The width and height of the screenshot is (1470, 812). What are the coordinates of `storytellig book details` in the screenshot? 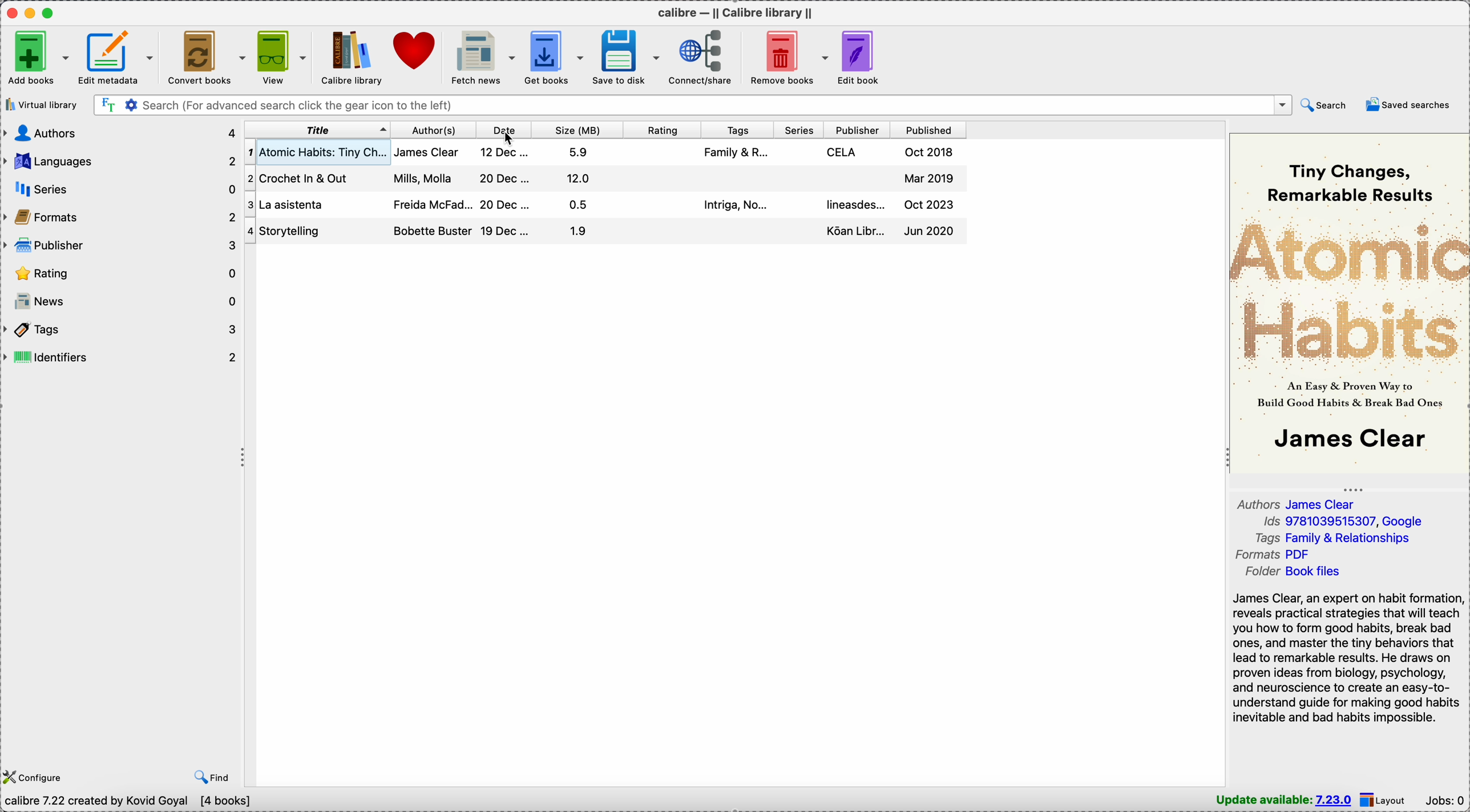 It's located at (604, 232).